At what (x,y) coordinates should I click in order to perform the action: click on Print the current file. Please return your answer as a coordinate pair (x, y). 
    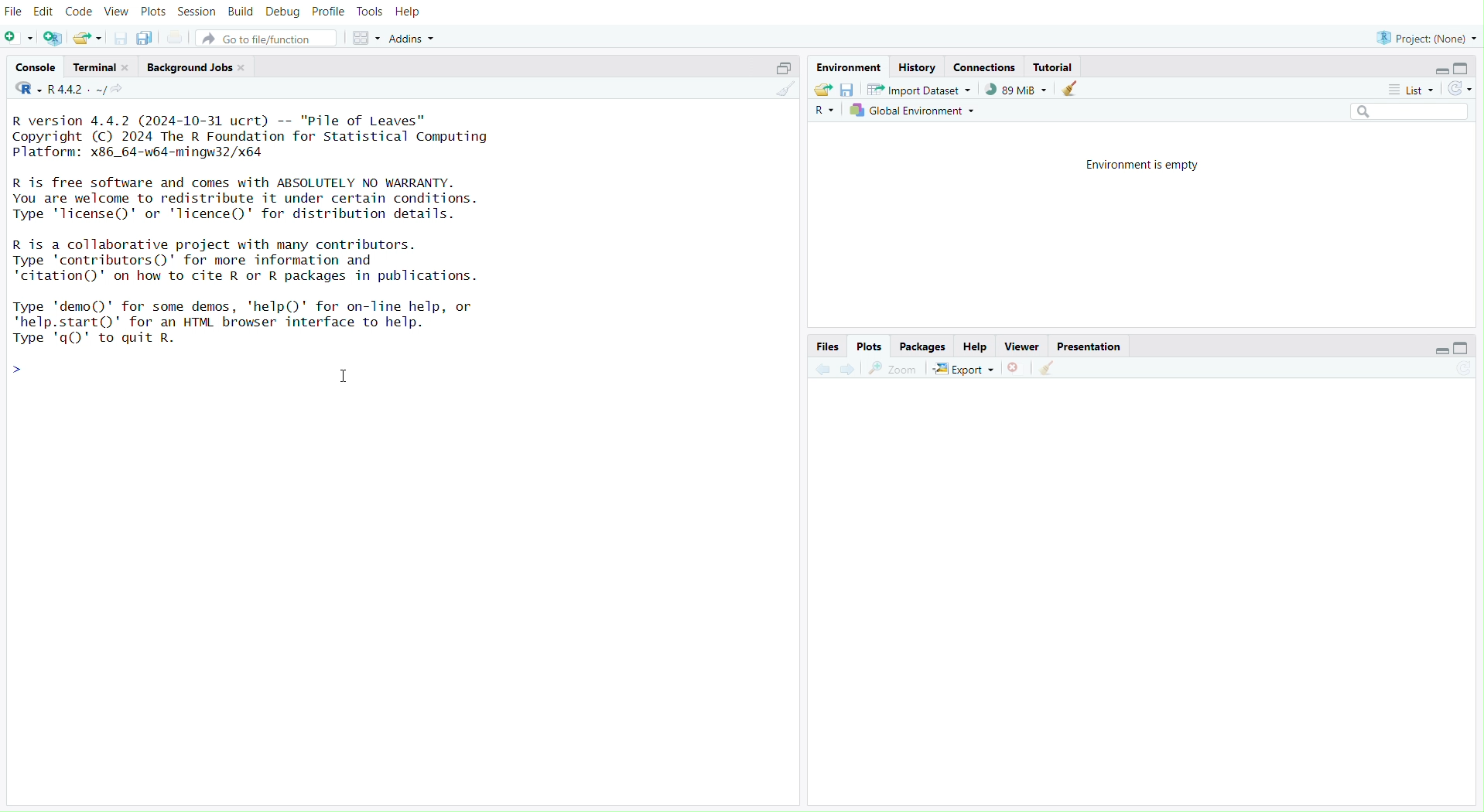
    Looking at the image, I should click on (173, 37).